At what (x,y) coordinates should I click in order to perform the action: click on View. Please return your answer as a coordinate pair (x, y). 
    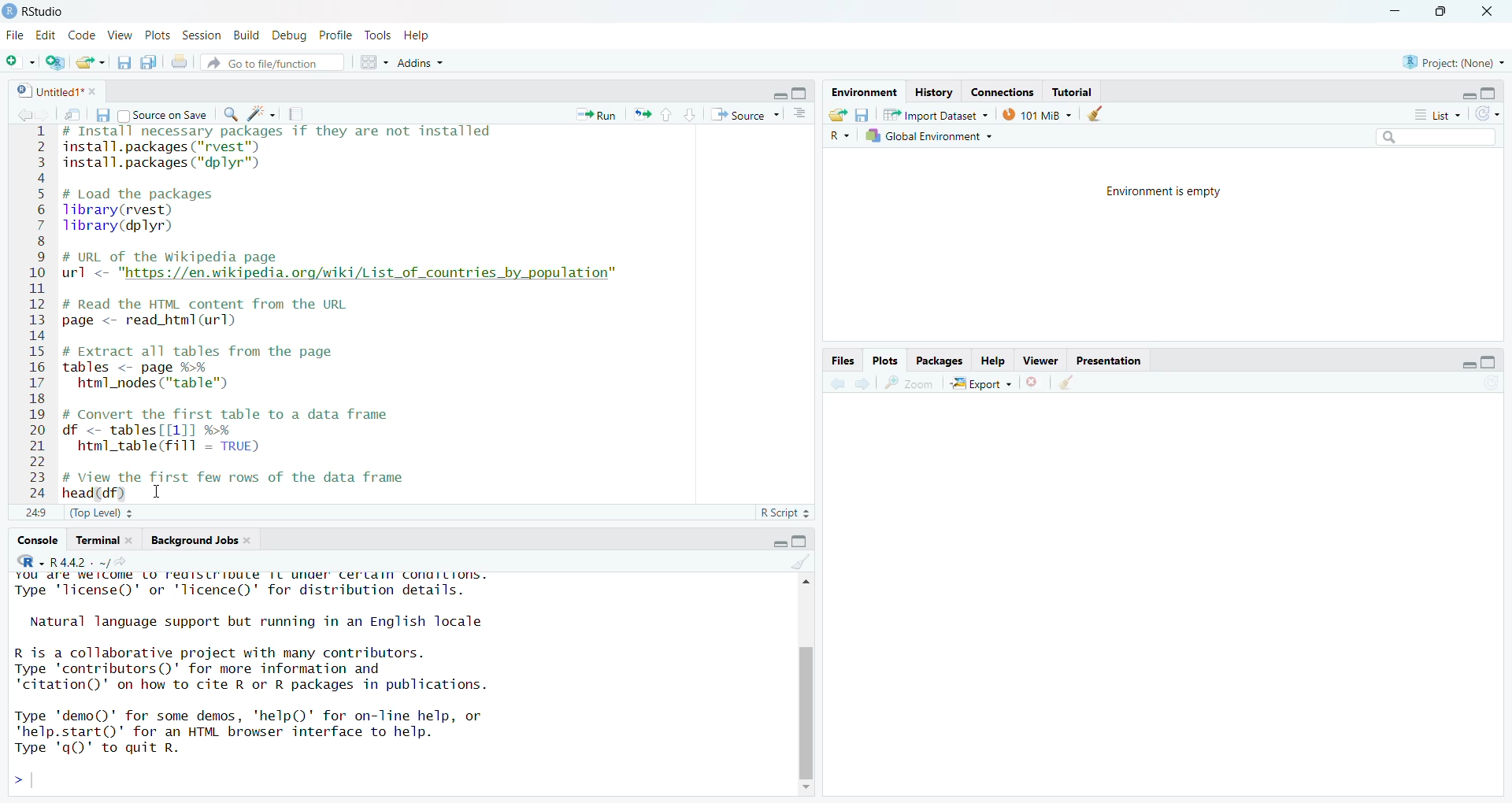
    Looking at the image, I should click on (120, 35).